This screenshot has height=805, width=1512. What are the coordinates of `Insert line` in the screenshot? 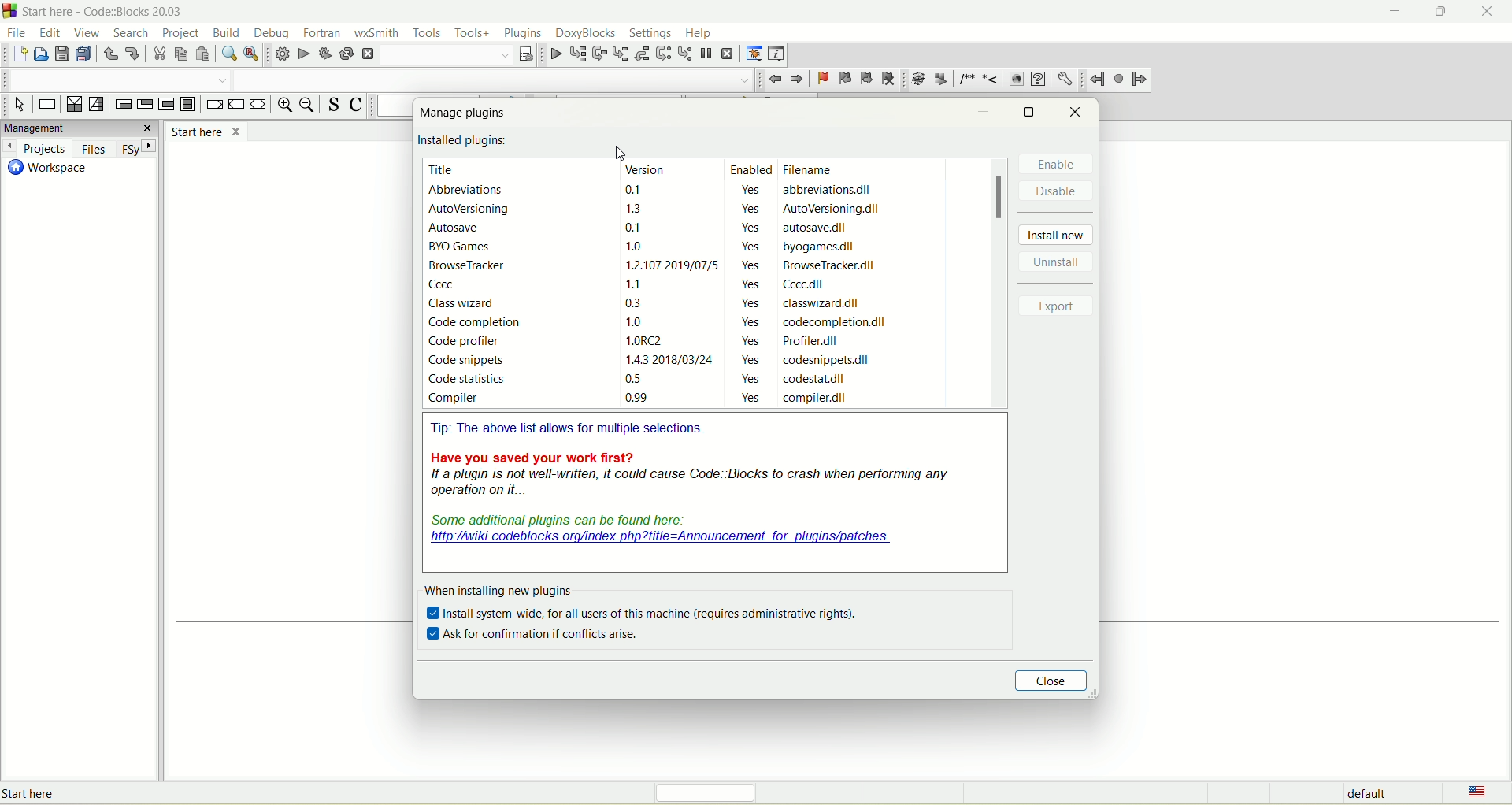 It's located at (991, 80).